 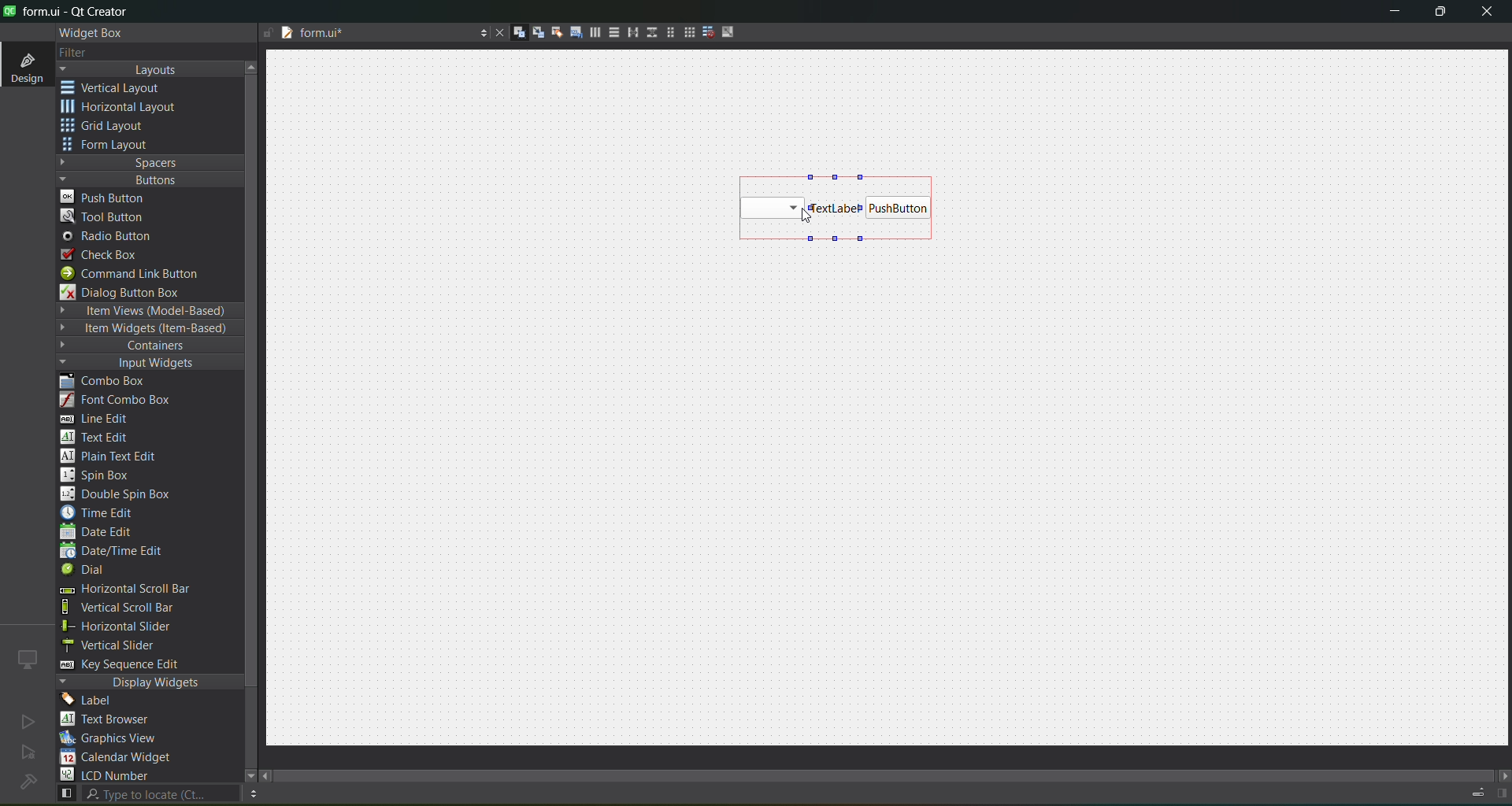 What do you see at coordinates (88, 571) in the screenshot?
I see `dial` at bounding box center [88, 571].